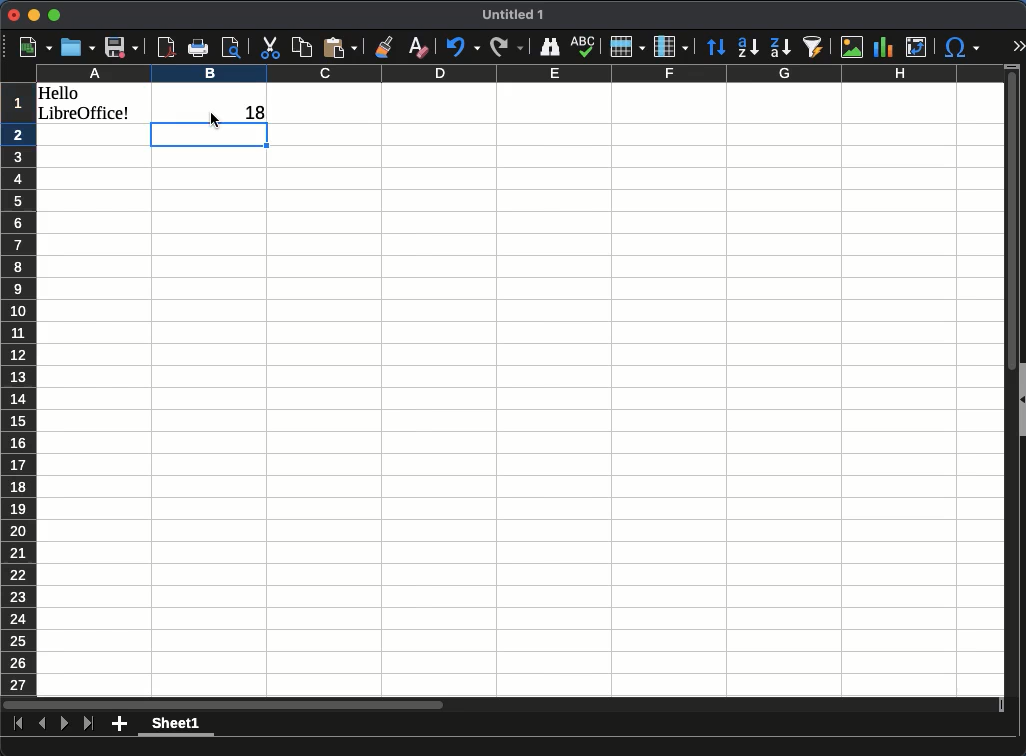 This screenshot has width=1026, height=756. I want to click on untitled 1, so click(514, 16).